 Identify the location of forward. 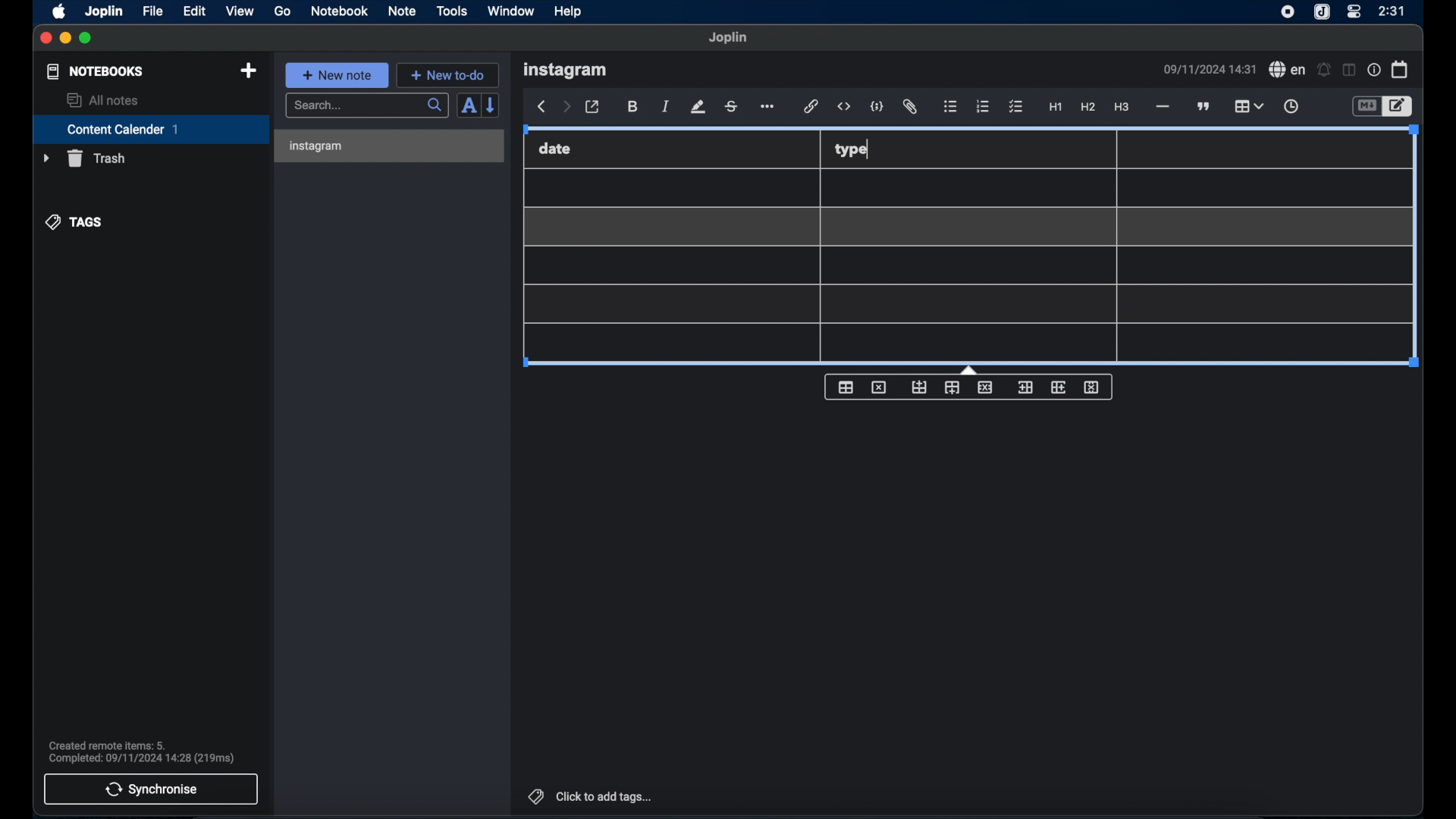
(566, 108).